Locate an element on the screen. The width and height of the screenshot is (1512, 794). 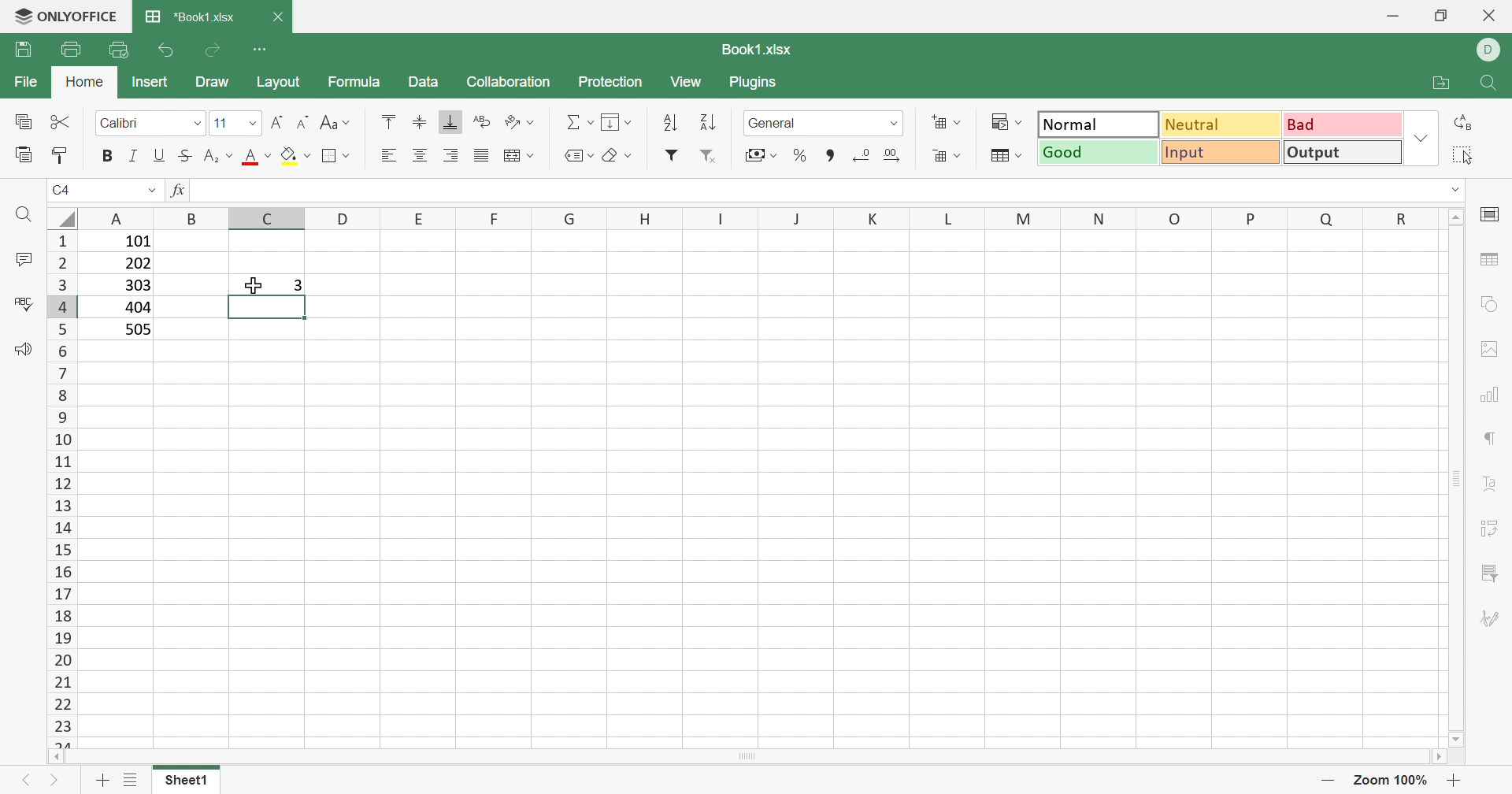
Align Left is located at coordinates (388, 156).